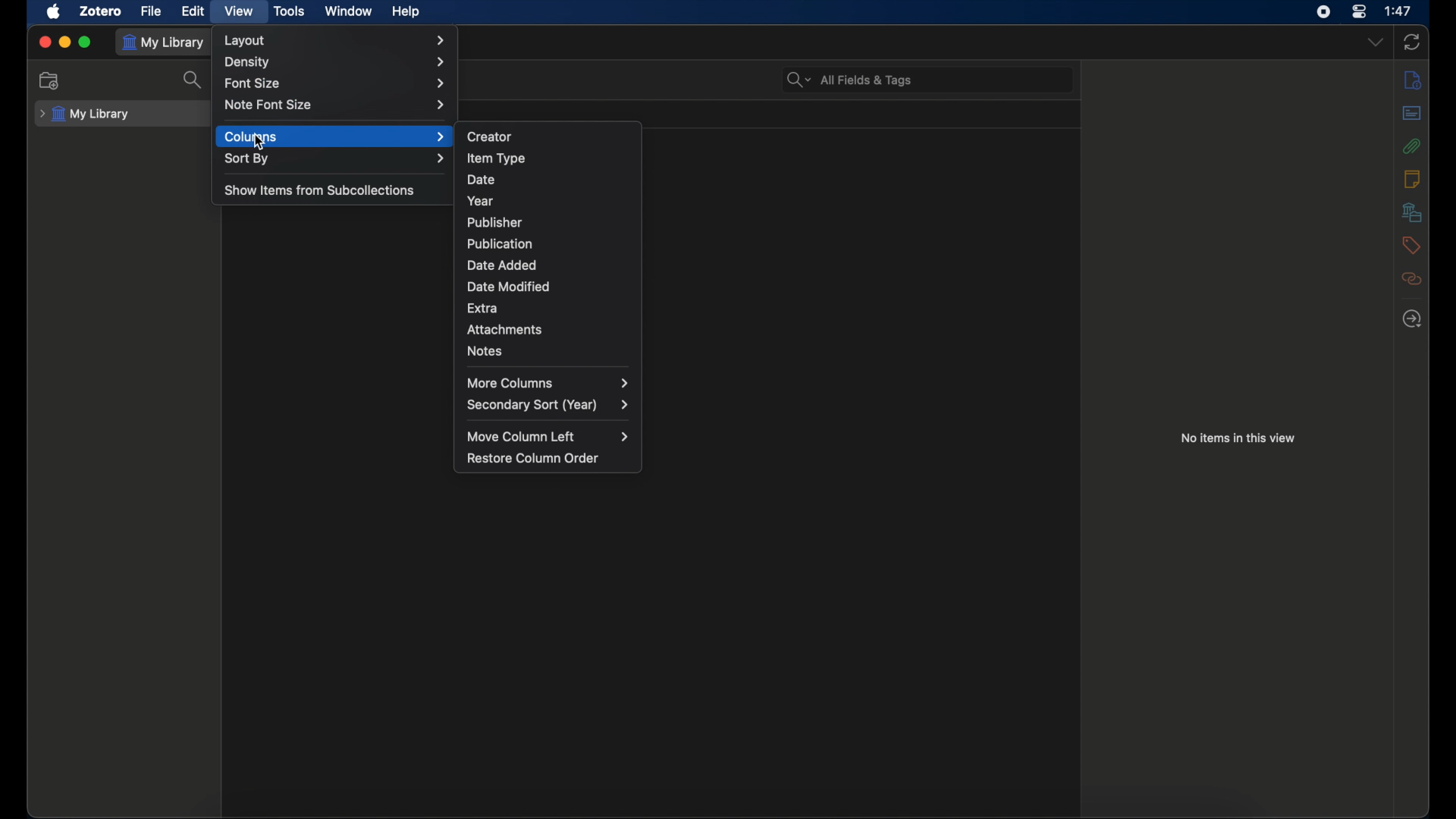 This screenshot has height=819, width=1456. What do you see at coordinates (151, 11) in the screenshot?
I see `file` at bounding box center [151, 11].